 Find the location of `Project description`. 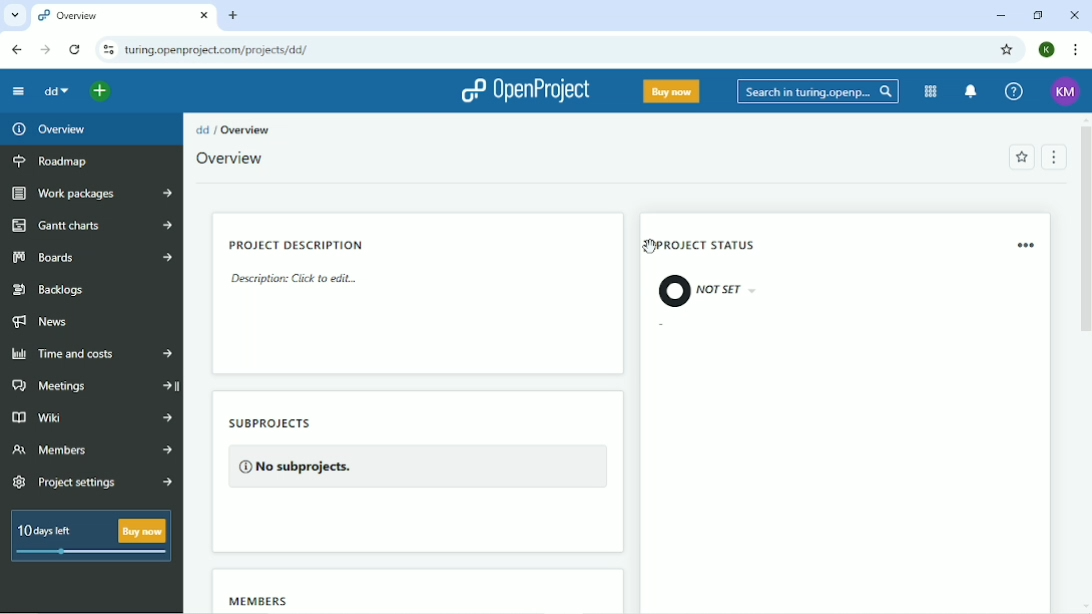

Project description is located at coordinates (300, 264).